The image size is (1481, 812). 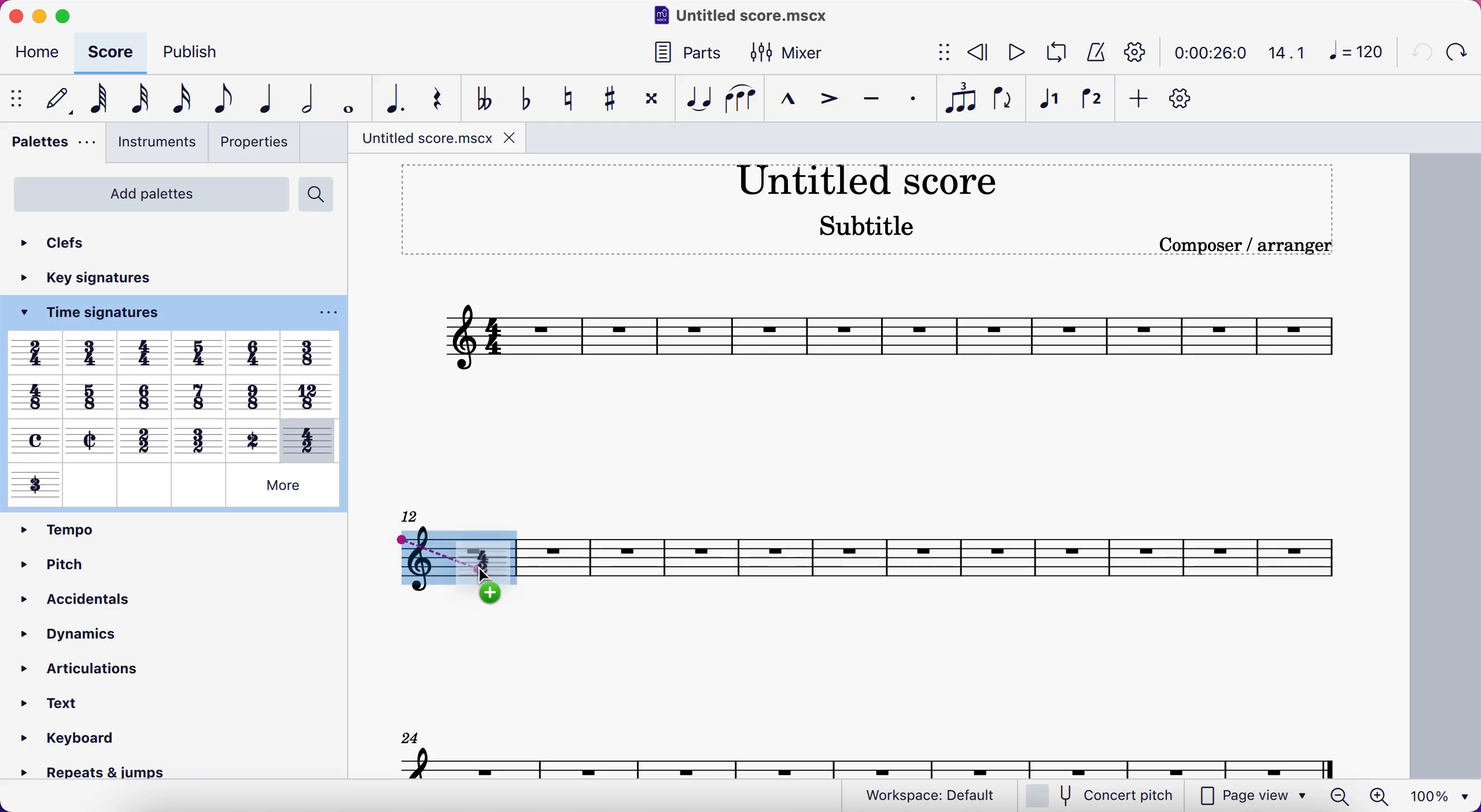 What do you see at coordinates (480, 97) in the screenshot?
I see `toggle double flat` at bounding box center [480, 97].